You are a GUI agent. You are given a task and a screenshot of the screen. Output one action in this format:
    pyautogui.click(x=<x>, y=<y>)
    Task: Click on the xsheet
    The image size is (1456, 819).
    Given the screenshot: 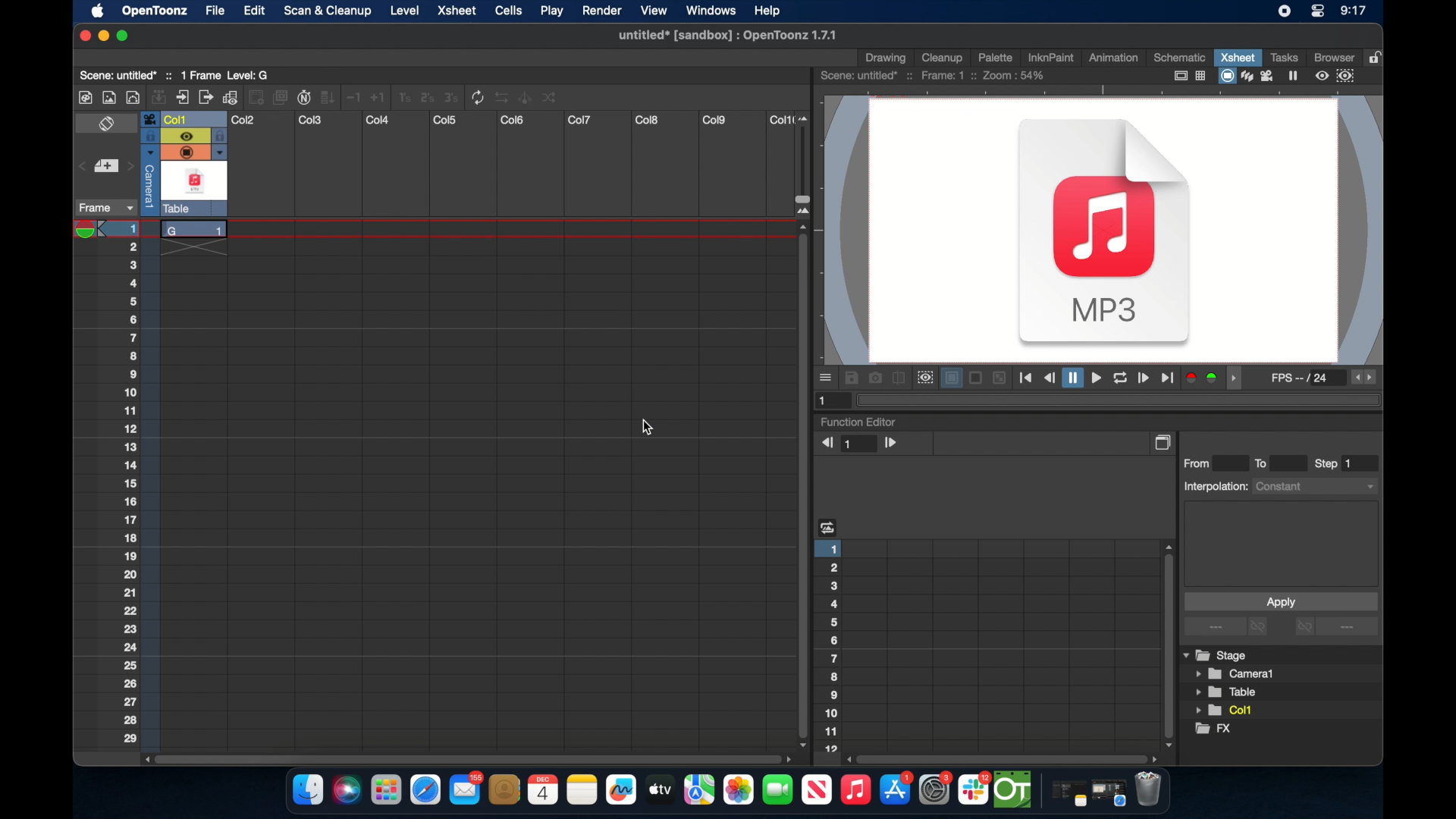 What is the action you would take?
    pyautogui.click(x=458, y=11)
    